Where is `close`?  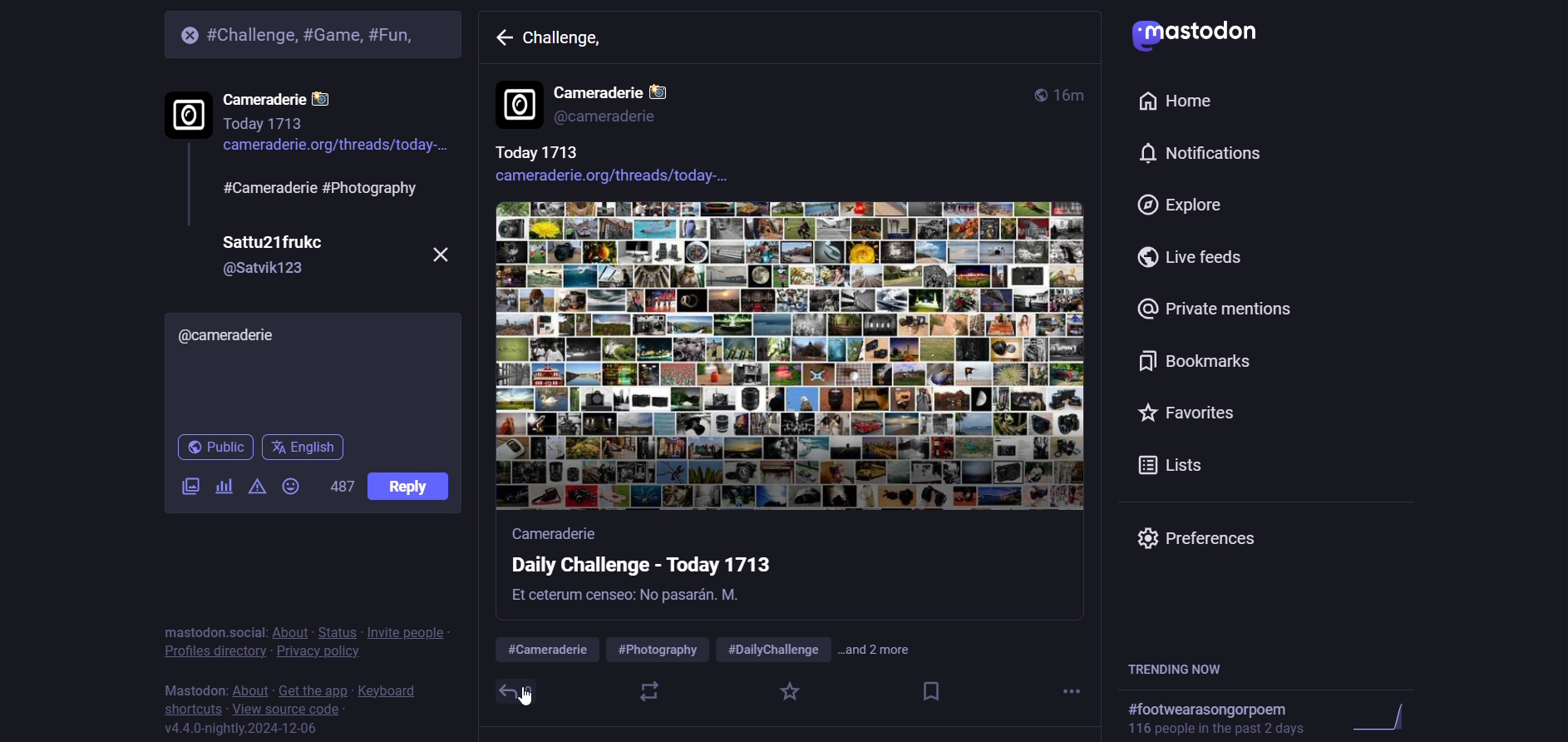 close is located at coordinates (190, 33).